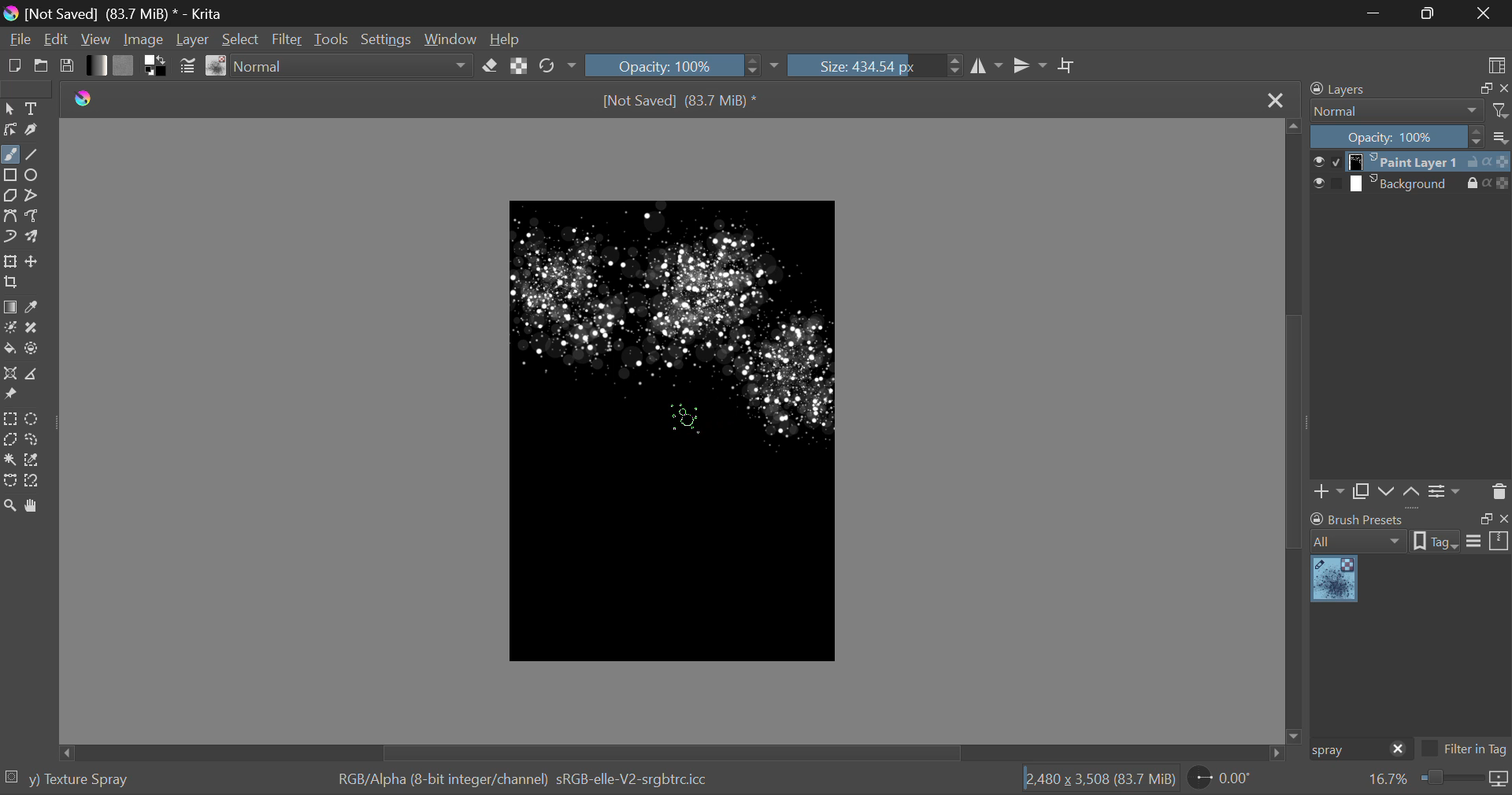 This screenshot has height=795, width=1512. Describe the element at coordinates (1388, 780) in the screenshot. I see `zoom value` at that location.